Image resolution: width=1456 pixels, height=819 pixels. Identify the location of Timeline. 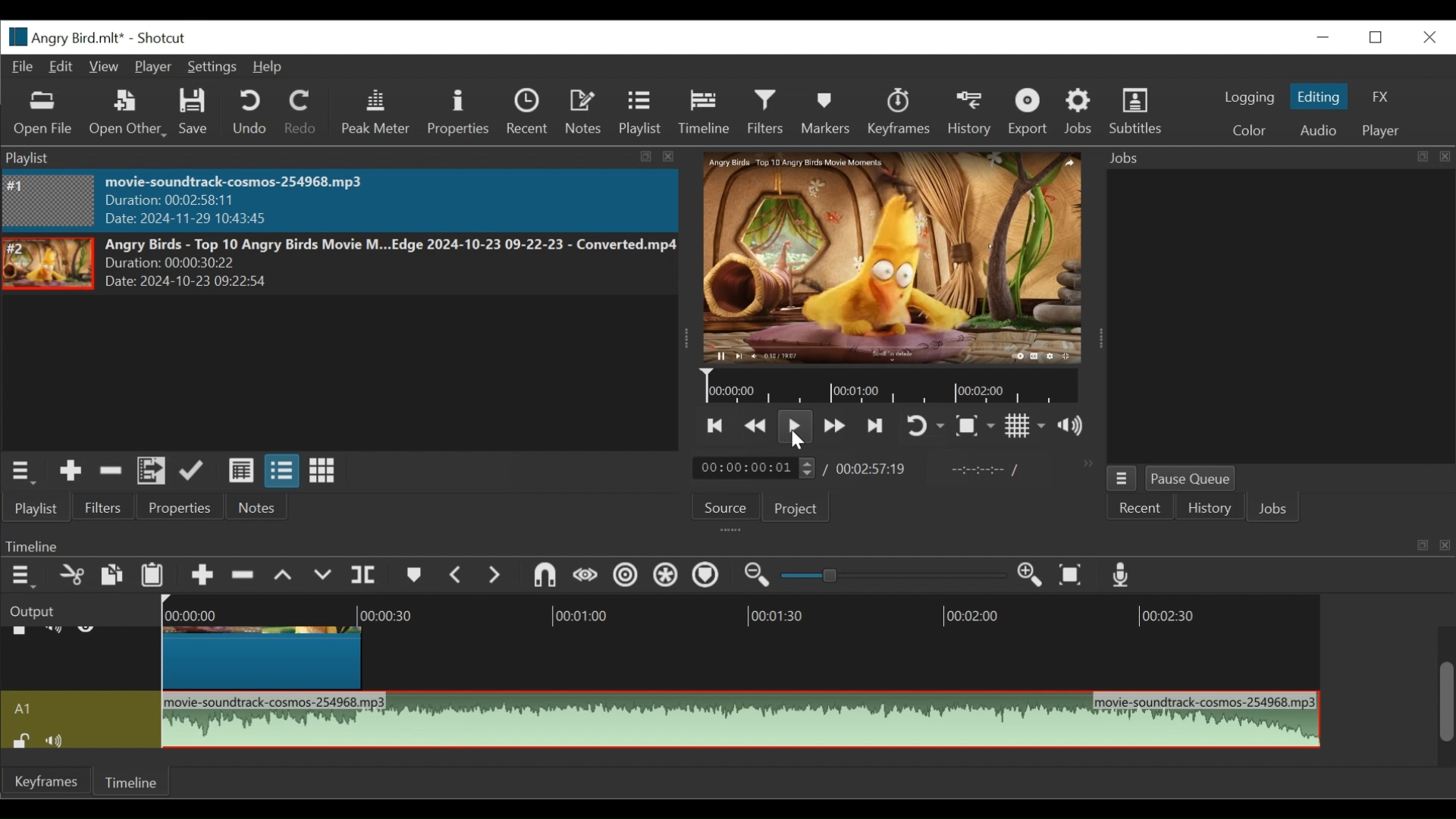
(703, 112).